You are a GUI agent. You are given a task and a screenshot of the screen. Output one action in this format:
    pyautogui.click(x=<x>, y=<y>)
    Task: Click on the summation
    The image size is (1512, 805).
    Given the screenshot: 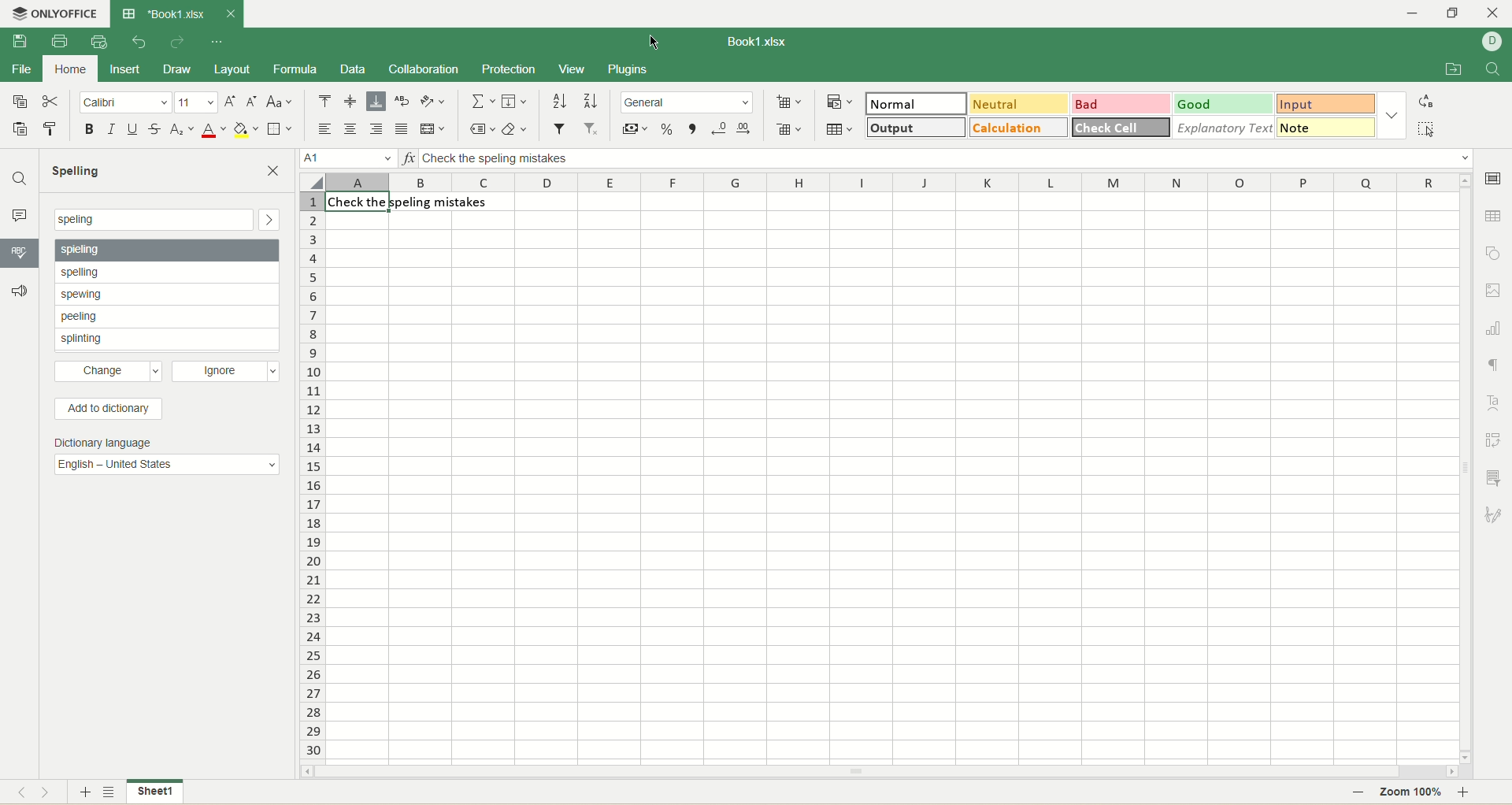 What is the action you would take?
    pyautogui.click(x=481, y=100)
    